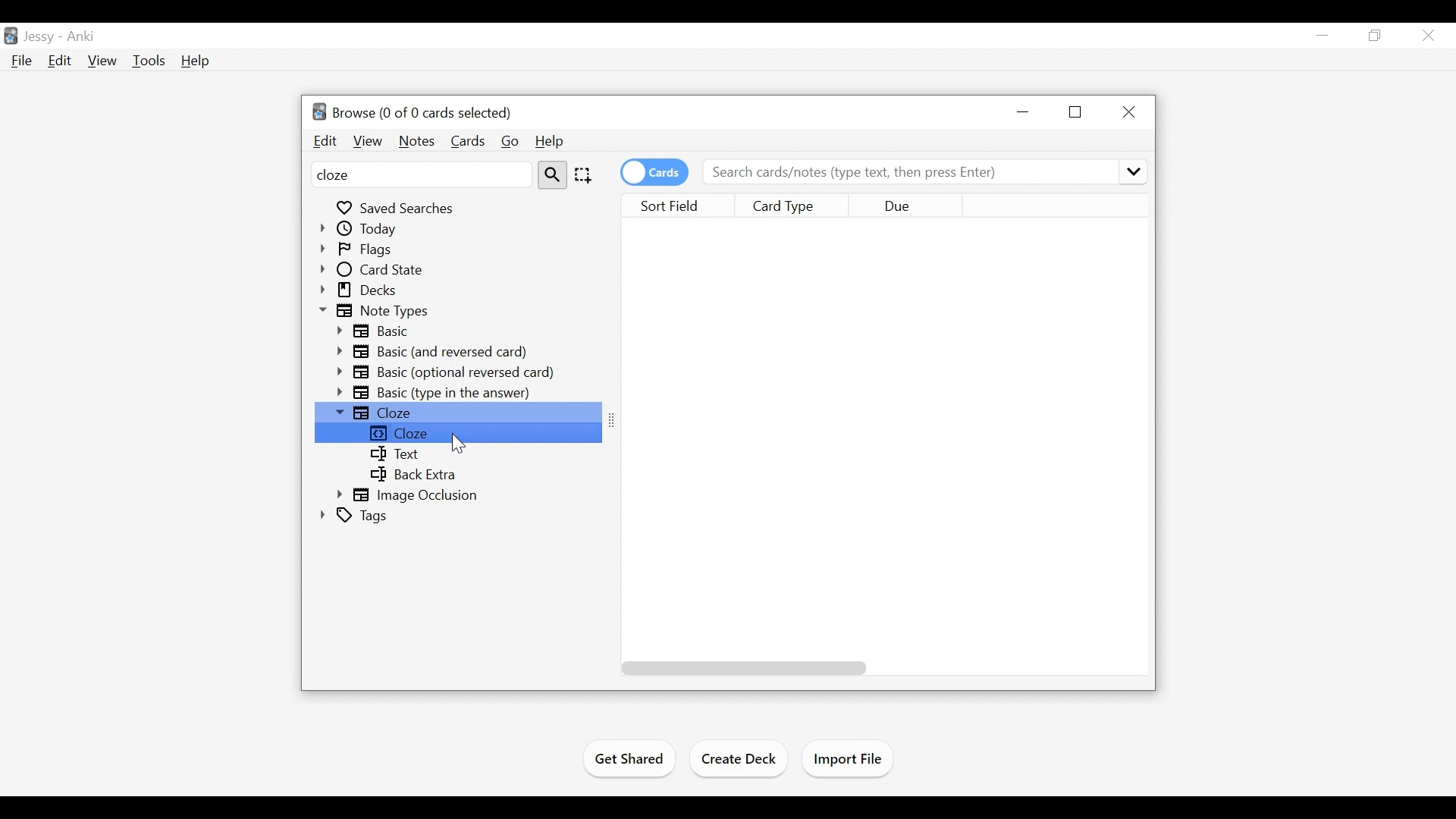 The image size is (1456, 819). Describe the element at coordinates (741, 667) in the screenshot. I see `Horizontal scrollbar` at that location.